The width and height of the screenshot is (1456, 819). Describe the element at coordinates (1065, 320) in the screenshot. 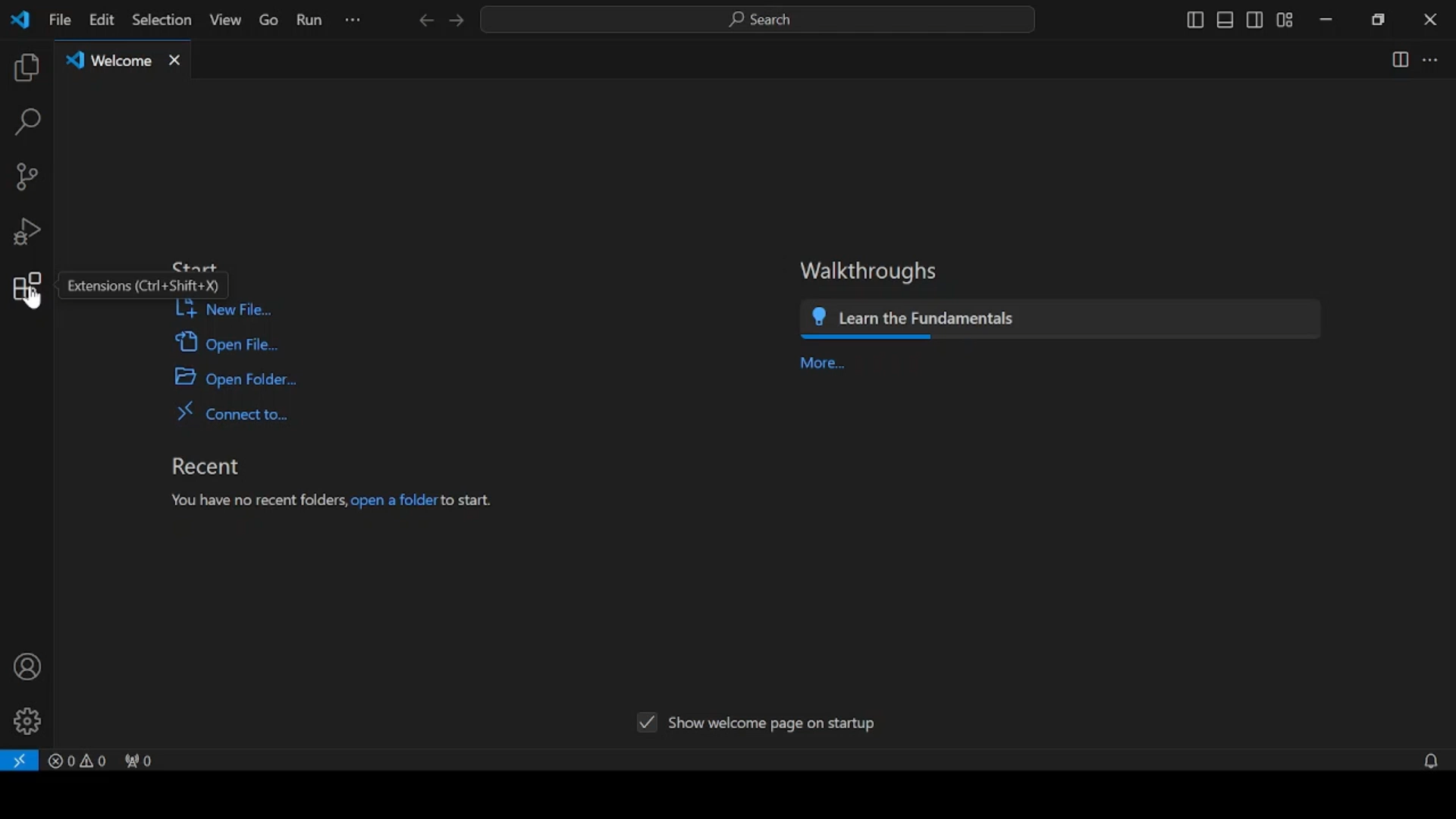

I see `learn the fundamentals` at that location.